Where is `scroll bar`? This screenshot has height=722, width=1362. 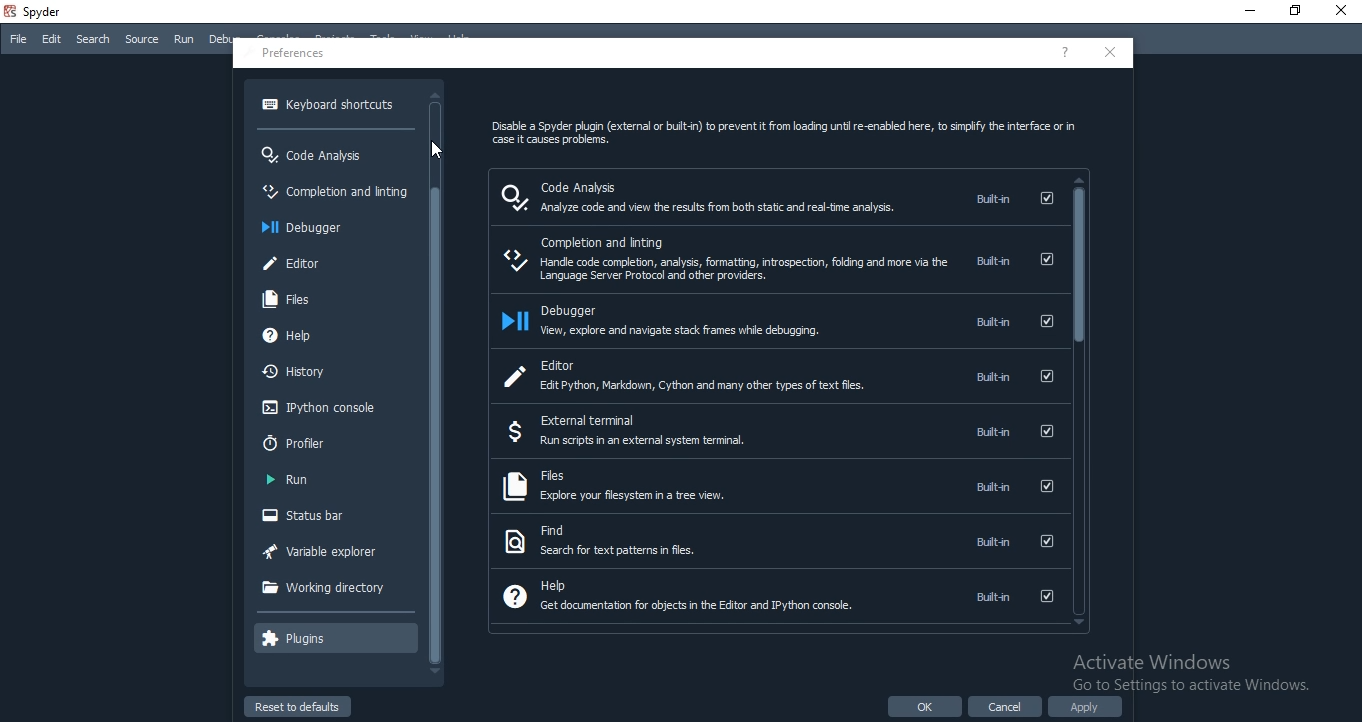 scroll bar is located at coordinates (1080, 402).